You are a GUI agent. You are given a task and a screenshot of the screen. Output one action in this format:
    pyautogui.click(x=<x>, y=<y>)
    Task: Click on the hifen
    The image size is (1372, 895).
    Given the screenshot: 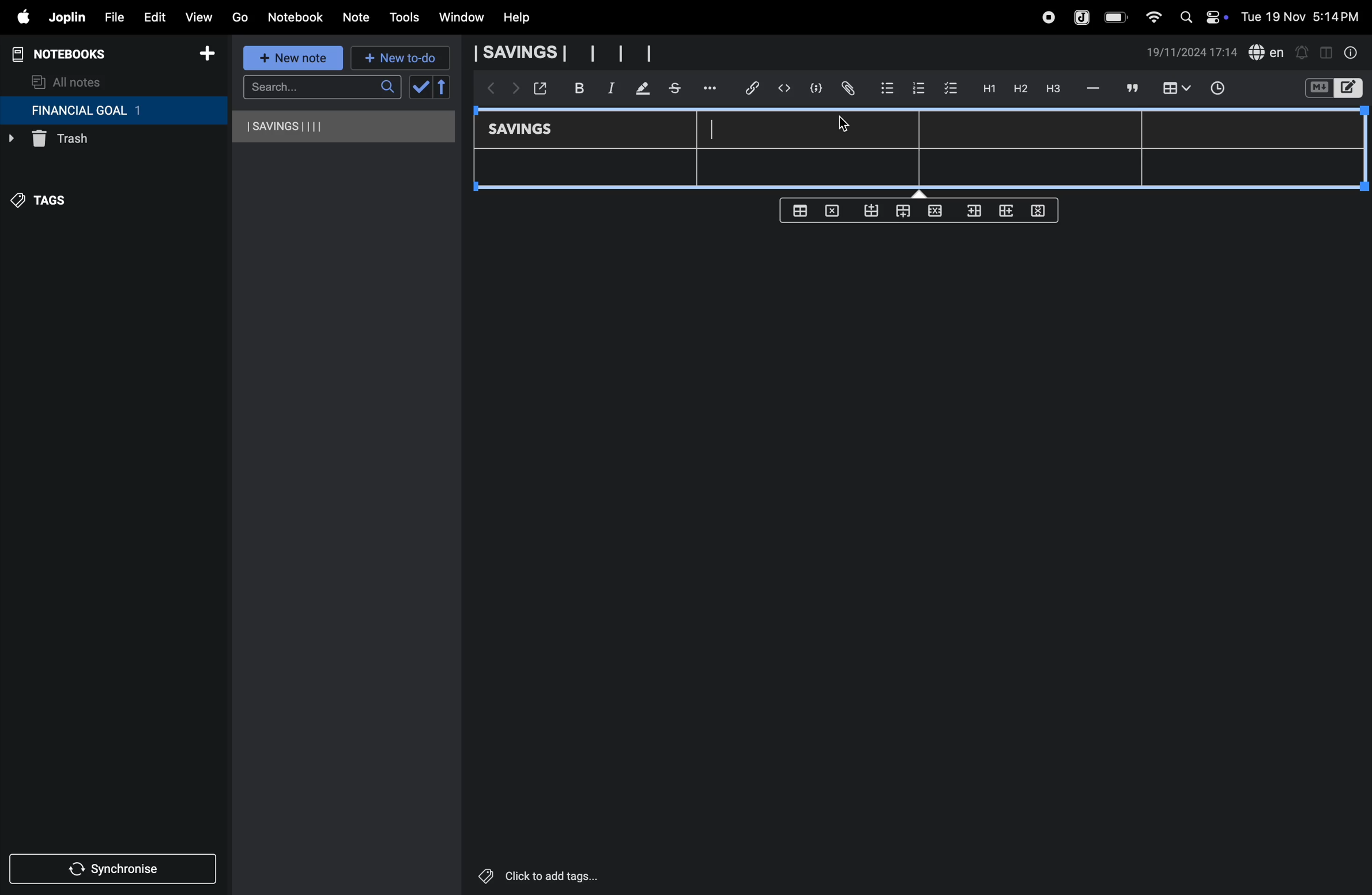 What is the action you would take?
    pyautogui.click(x=1095, y=88)
    